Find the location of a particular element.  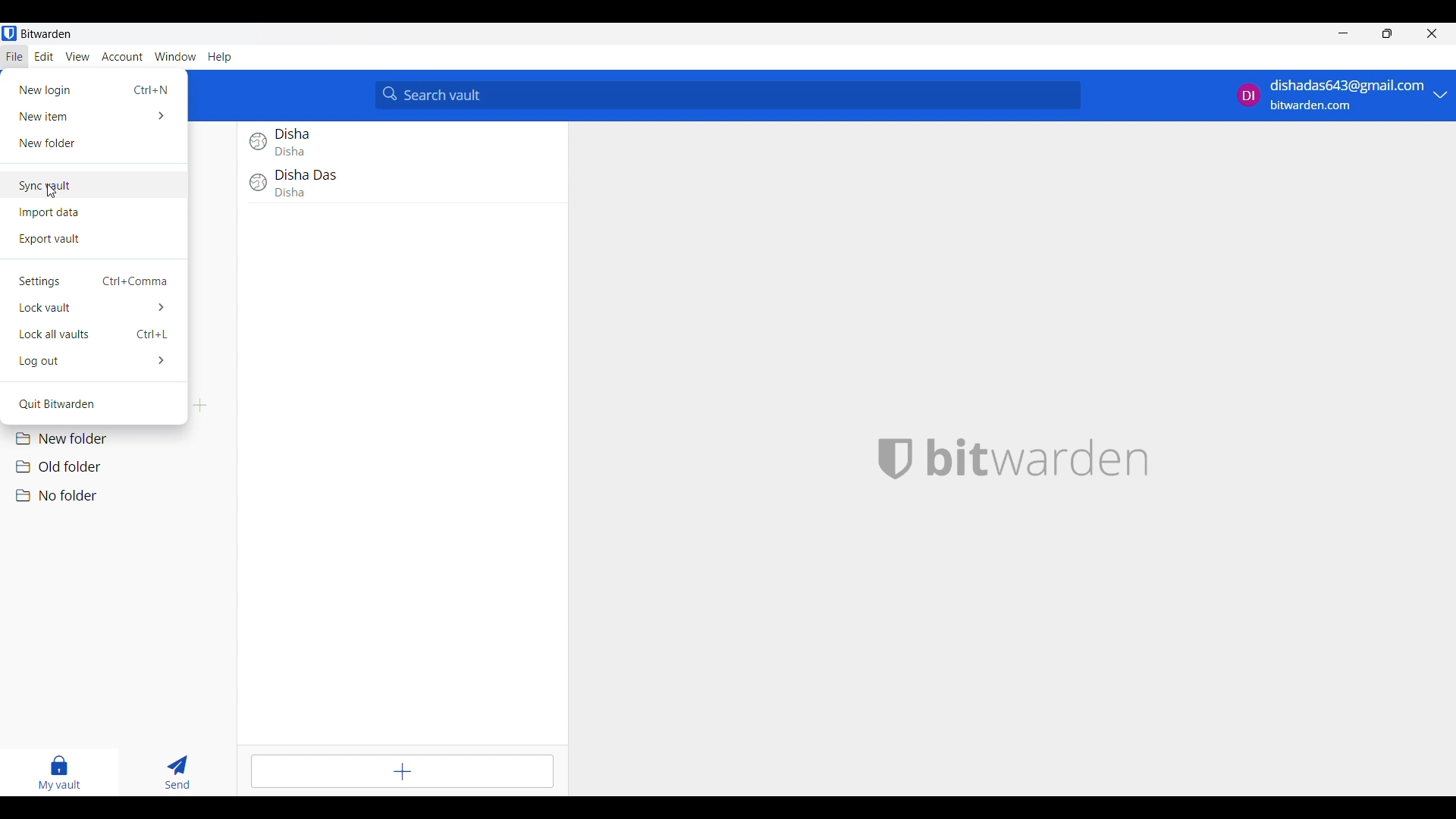

Help menu is located at coordinates (220, 58).